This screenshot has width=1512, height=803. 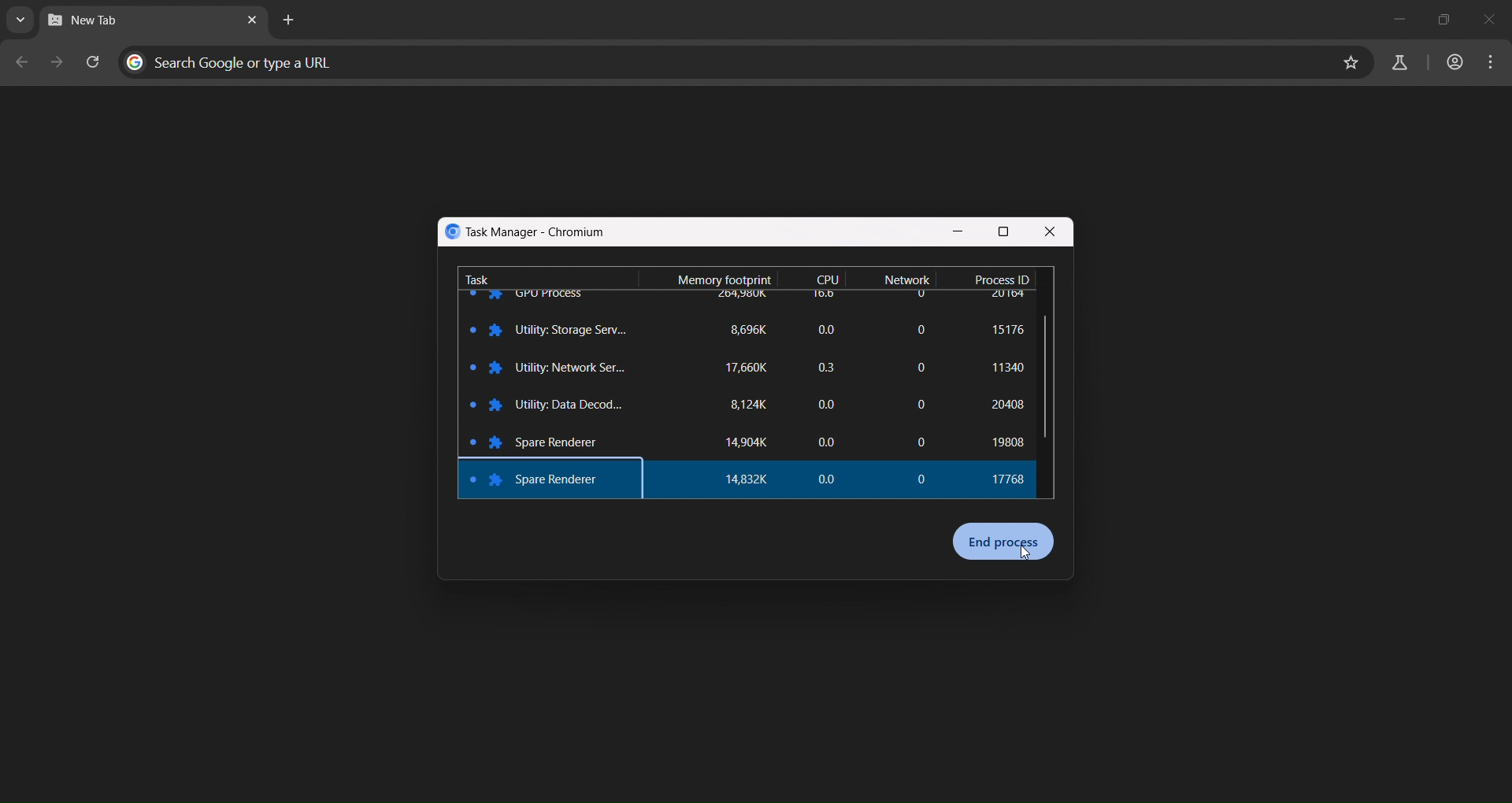 What do you see at coordinates (834, 483) in the screenshot?
I see `00` at bounding box center [834, 483].